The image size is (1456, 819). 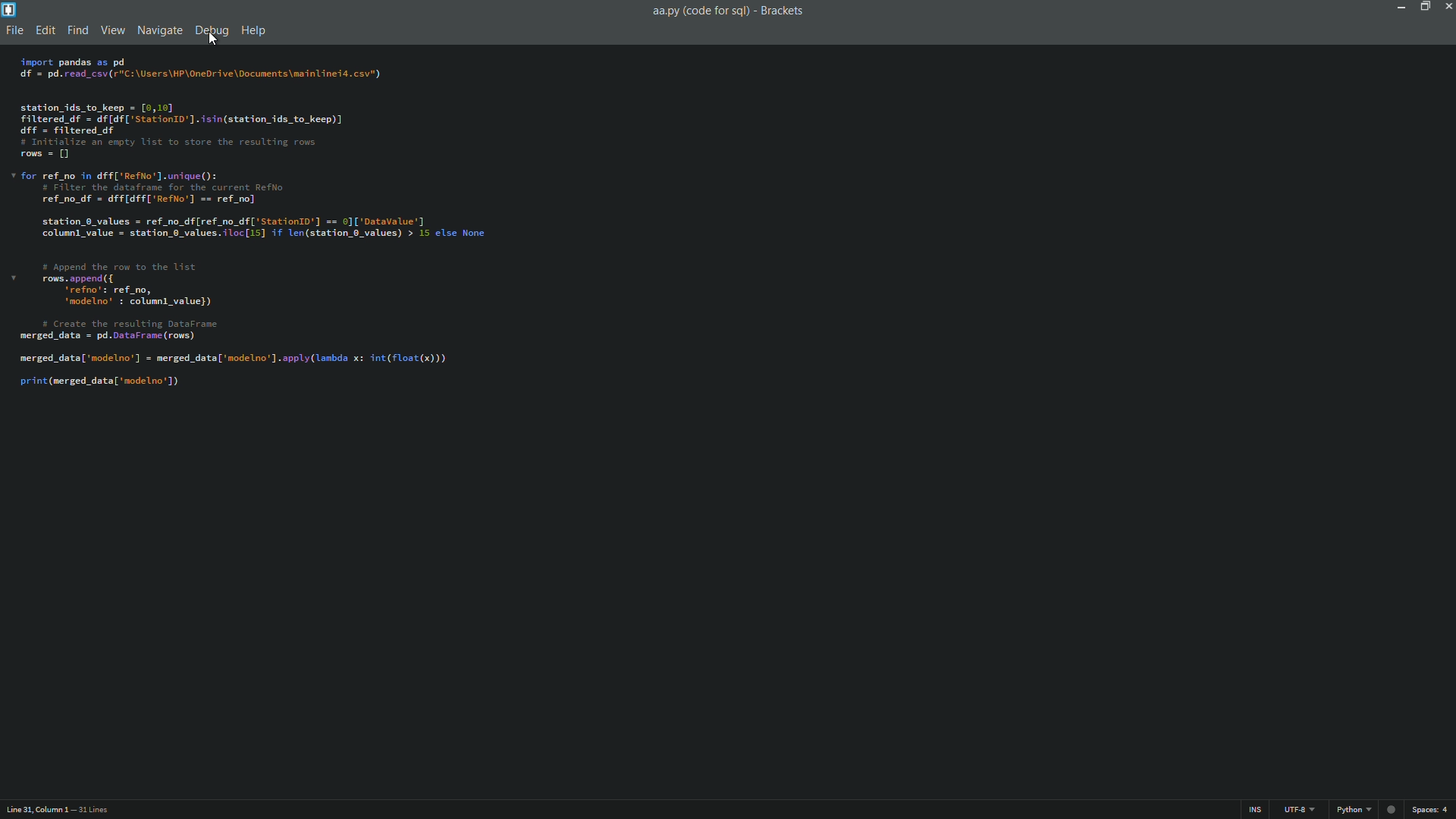 I want to click on number of lines, so click(x=92, y=811).